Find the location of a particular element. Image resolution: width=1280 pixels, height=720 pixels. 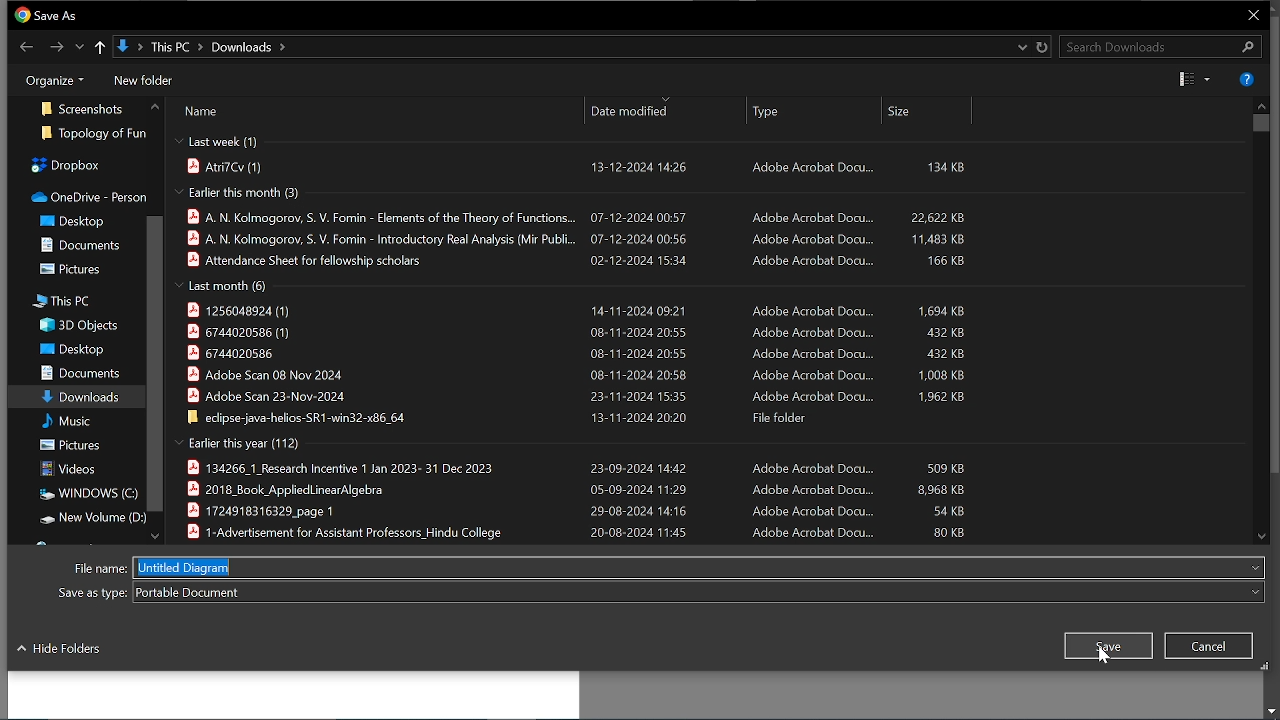

3D objects is located at coordinates (76, 327).